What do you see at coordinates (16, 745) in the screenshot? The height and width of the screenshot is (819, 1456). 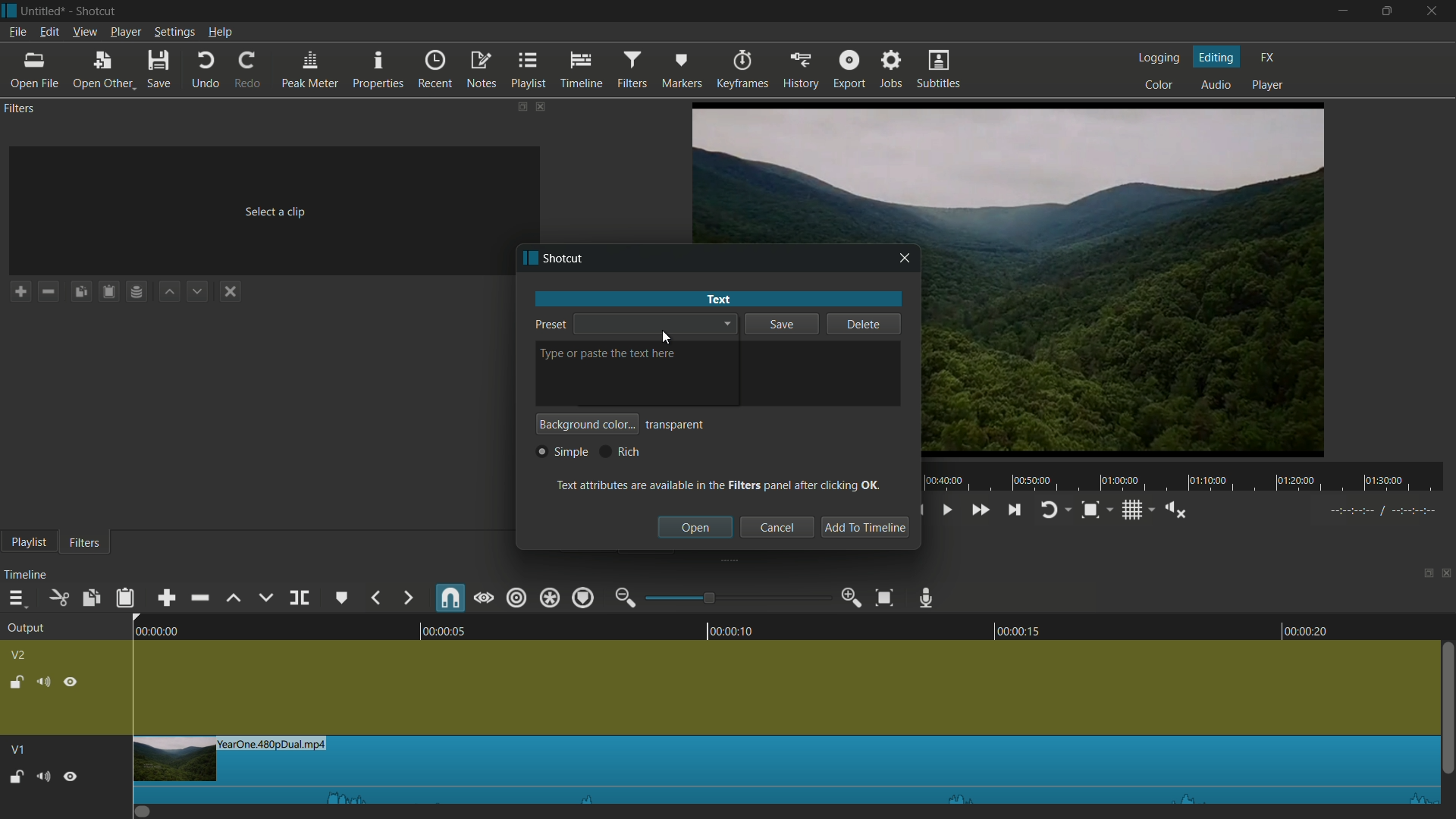 I see `V1` at bounding box center [16, 745].